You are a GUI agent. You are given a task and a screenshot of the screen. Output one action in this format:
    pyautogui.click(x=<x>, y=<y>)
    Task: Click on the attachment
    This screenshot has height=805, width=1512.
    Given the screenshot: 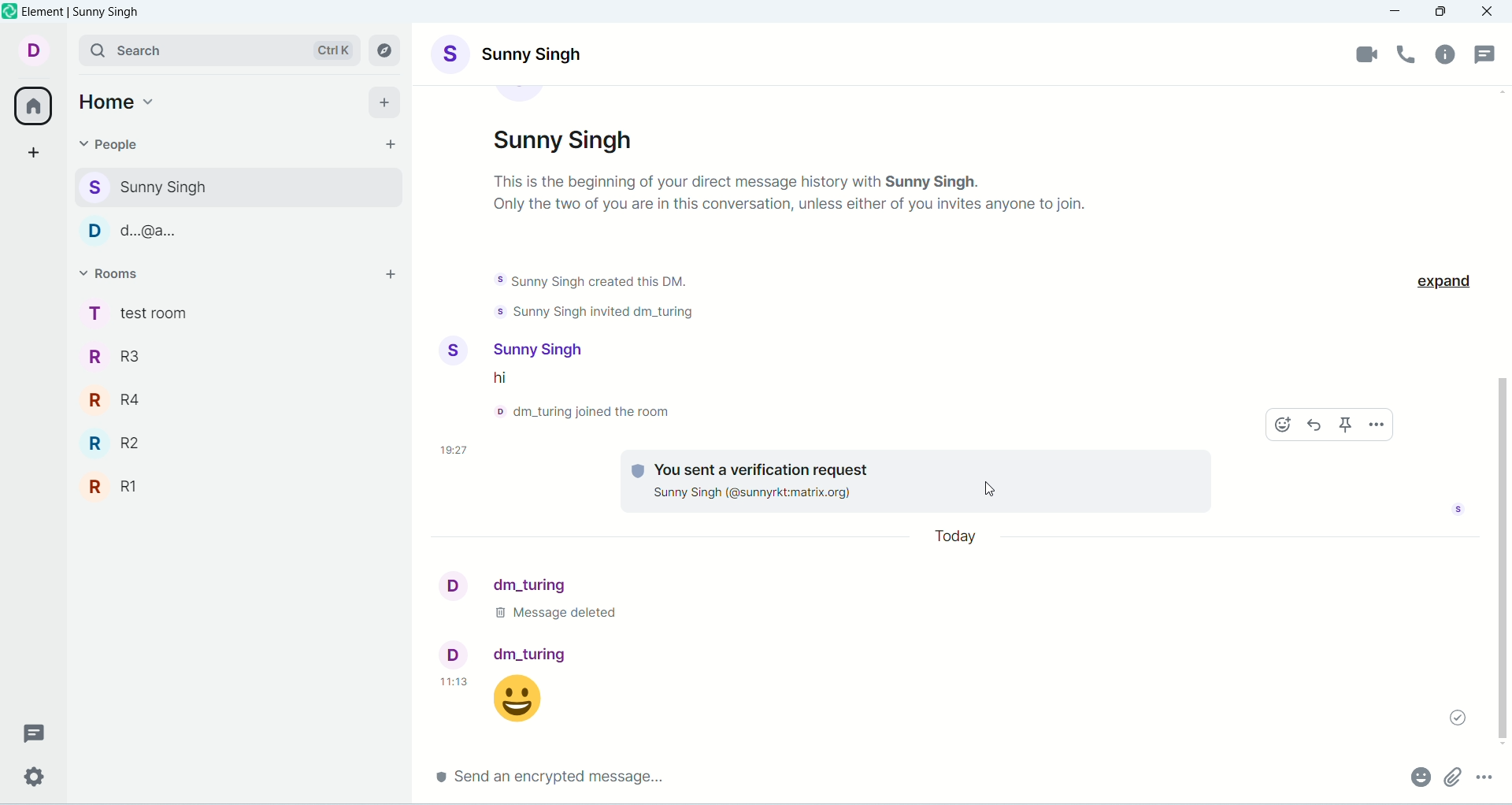 What is the action you would take?
    pyautogui.click(x=1452, y=775)
    